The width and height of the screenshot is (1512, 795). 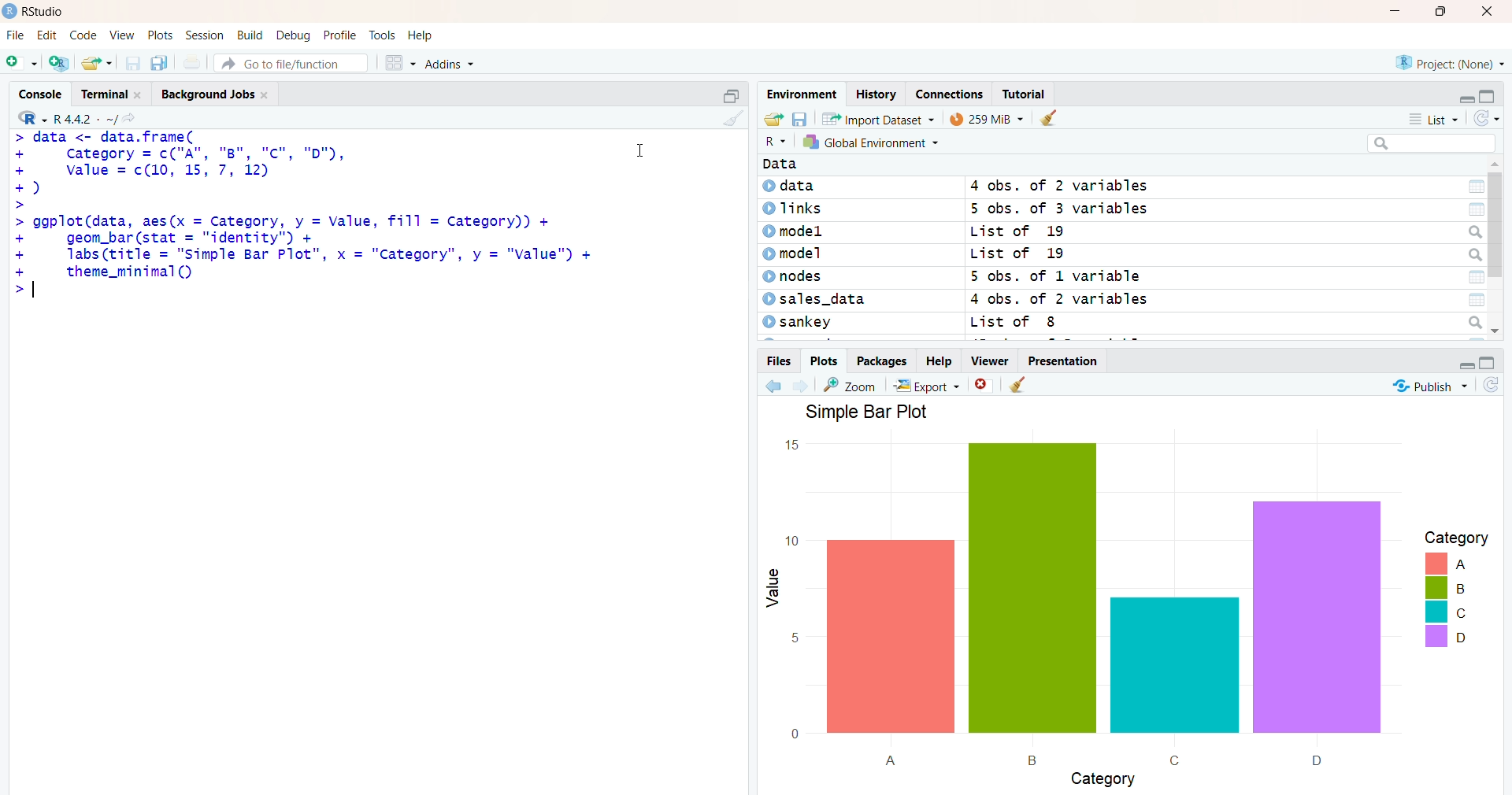 What do you see at coordinates (1120, 247) in the screenshot?
I see `Data - Data© data 4 obs. of 2 variables© Tinks 5 obs. of 3 variables© model List of 19© model List of 19© nodes 5 obs. of 1 variable© sales_data 4 obs. of 2 variables© sankey List of 8` at bounding box center [1120, 247].